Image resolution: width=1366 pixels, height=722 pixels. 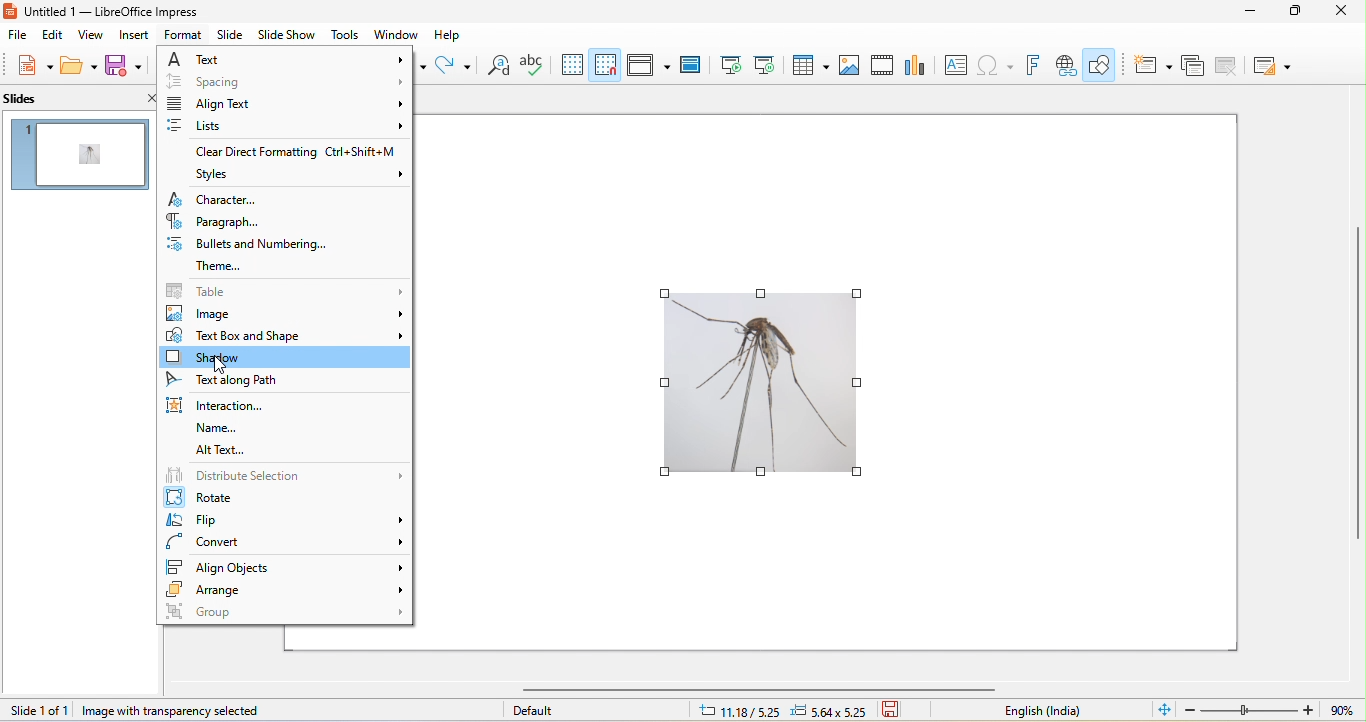 I want to click on fit to window, so click(x=1165, y=709).